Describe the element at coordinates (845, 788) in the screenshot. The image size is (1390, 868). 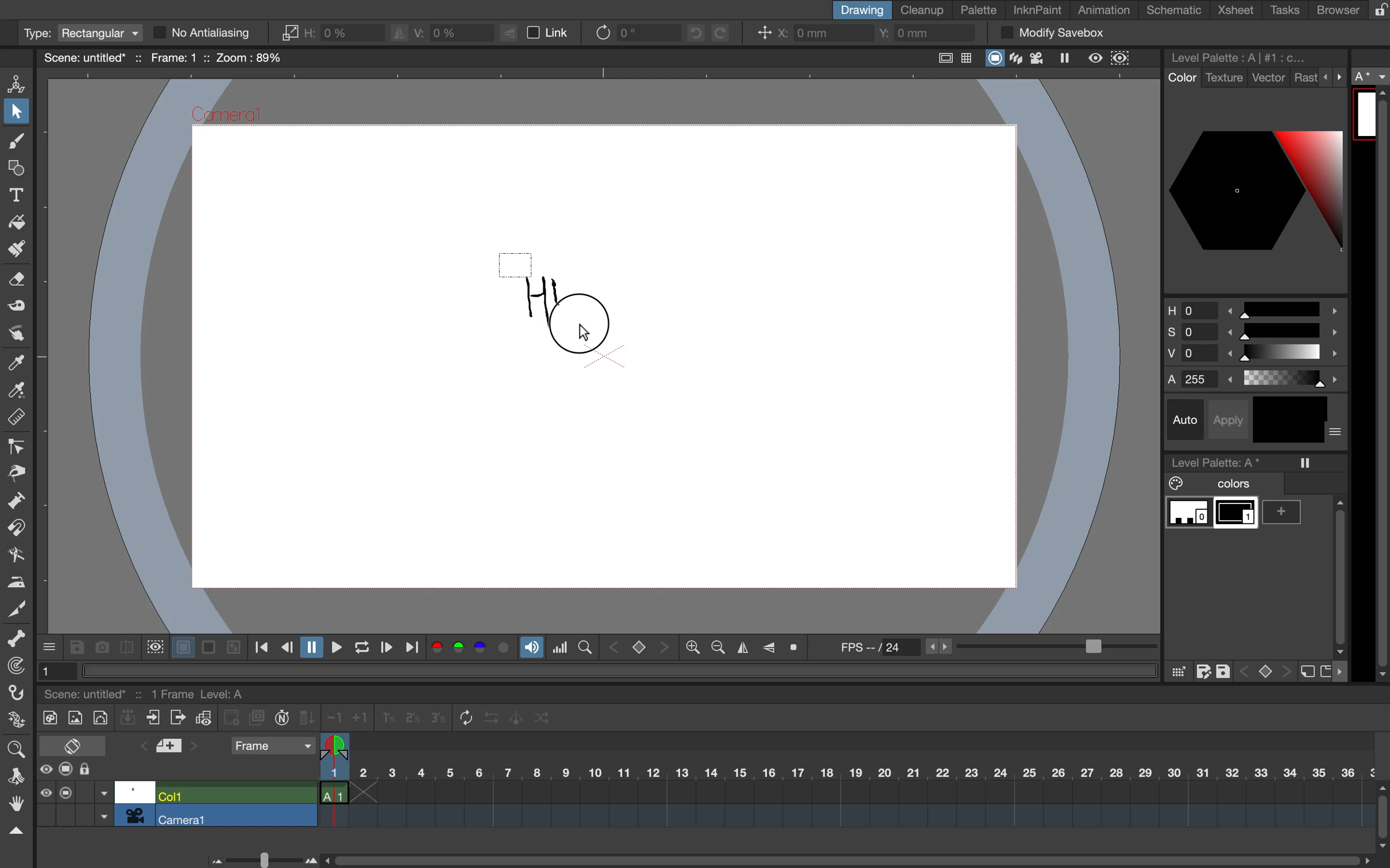
I see `timeline scale` at that location.